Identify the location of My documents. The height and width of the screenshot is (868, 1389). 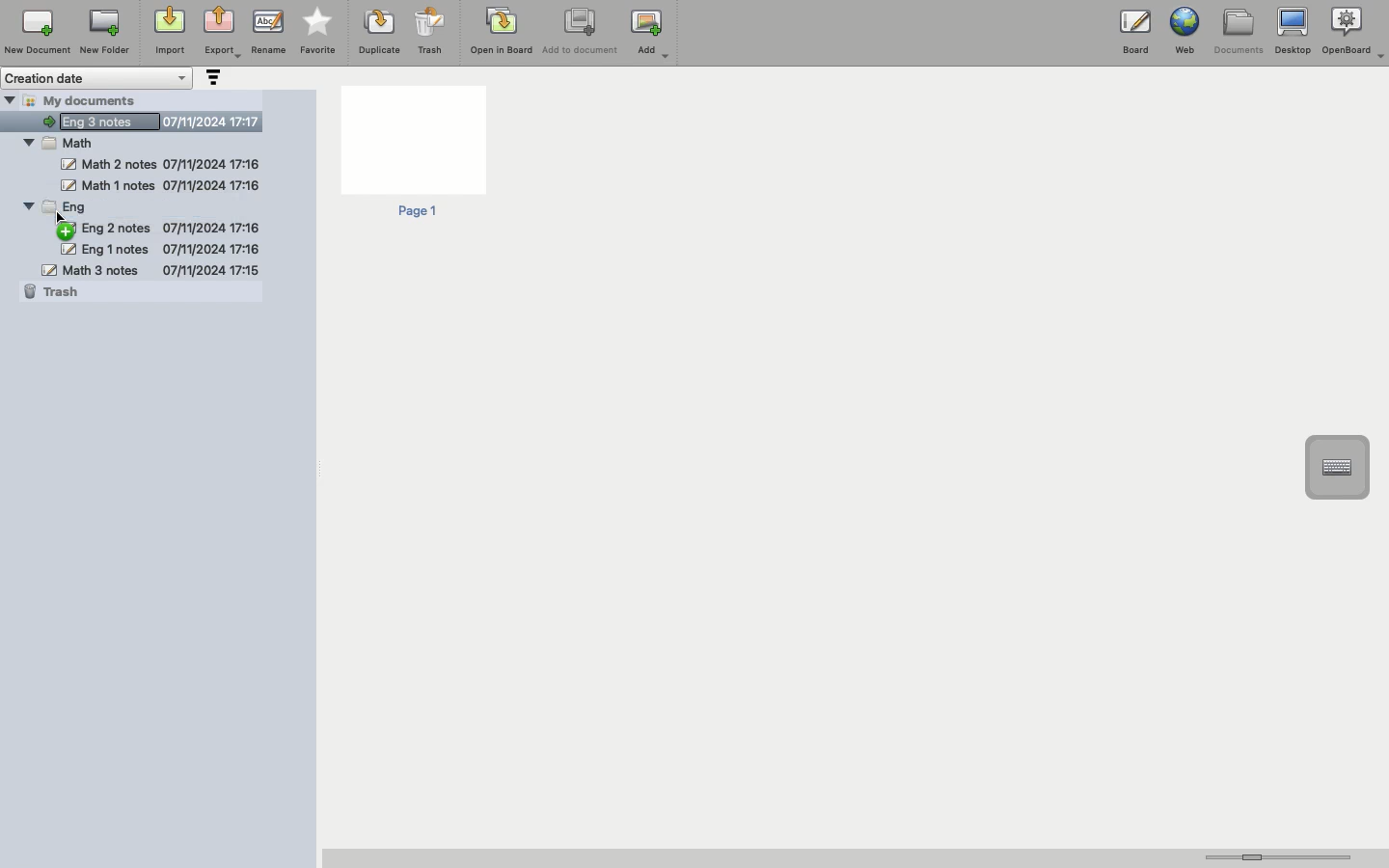
(93, 99).